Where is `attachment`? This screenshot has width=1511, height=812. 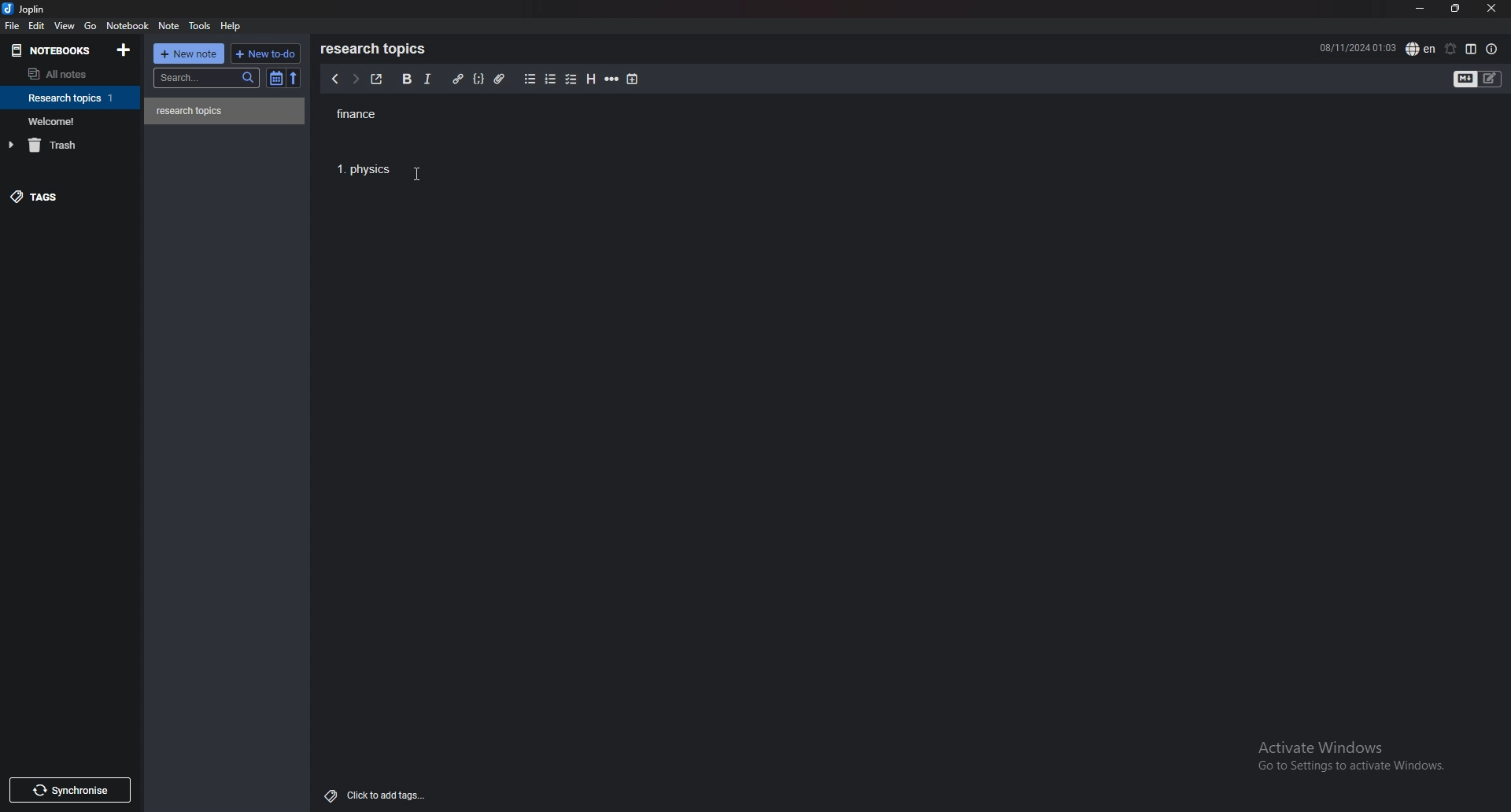 attachment is located at coordinates (499, 78).